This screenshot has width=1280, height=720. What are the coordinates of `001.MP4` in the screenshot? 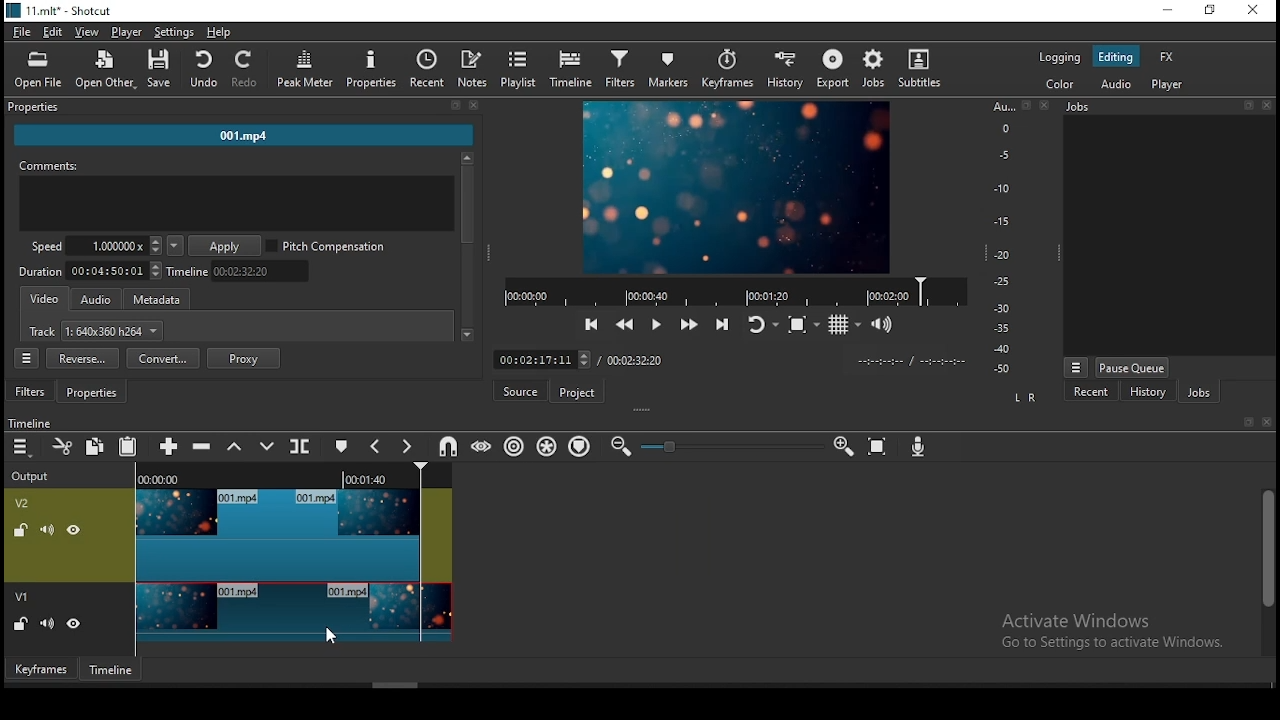 It's located at (245, 138).